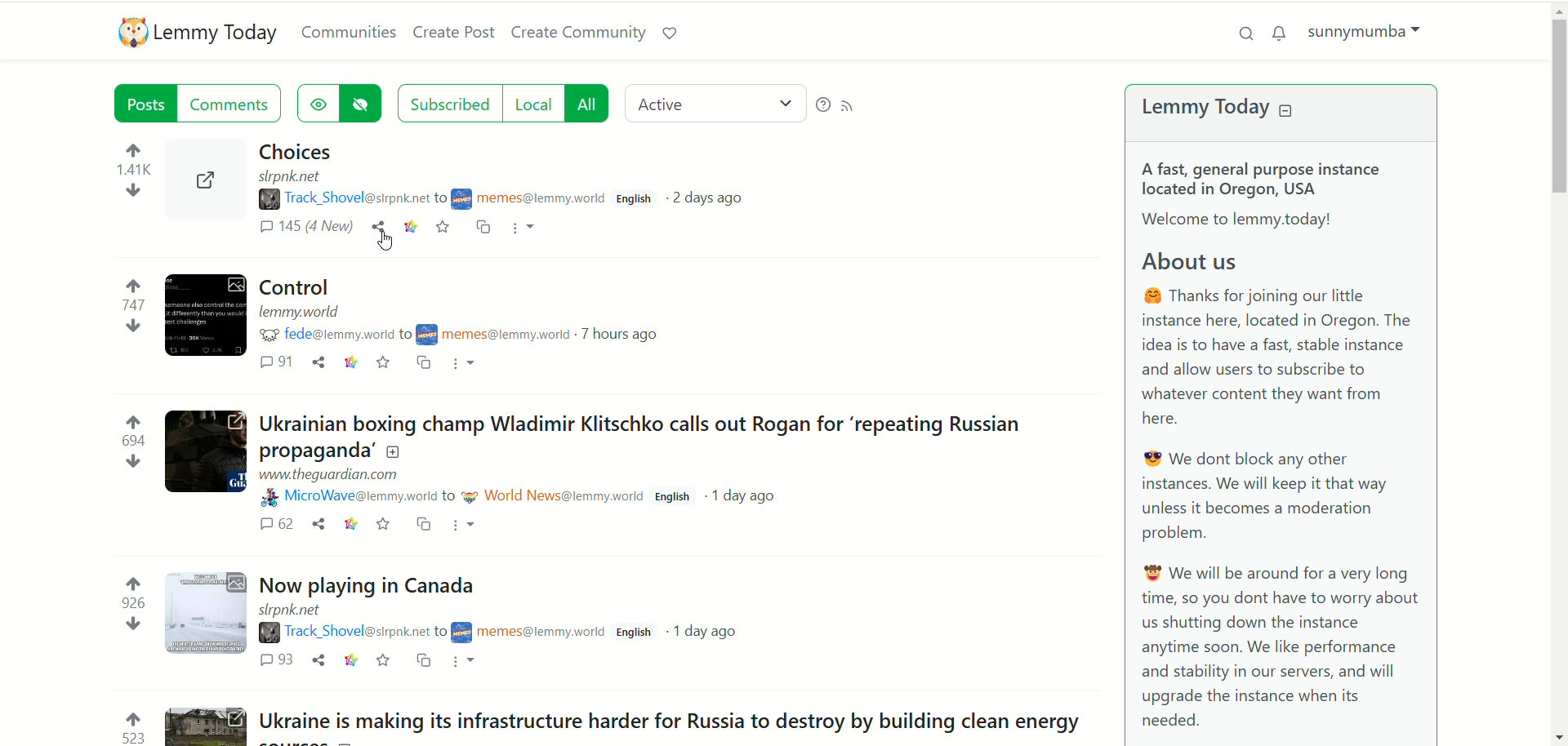 The height and width of the screenshot is (746, 1568). I want to click on votes up and down, so click(134, 172).